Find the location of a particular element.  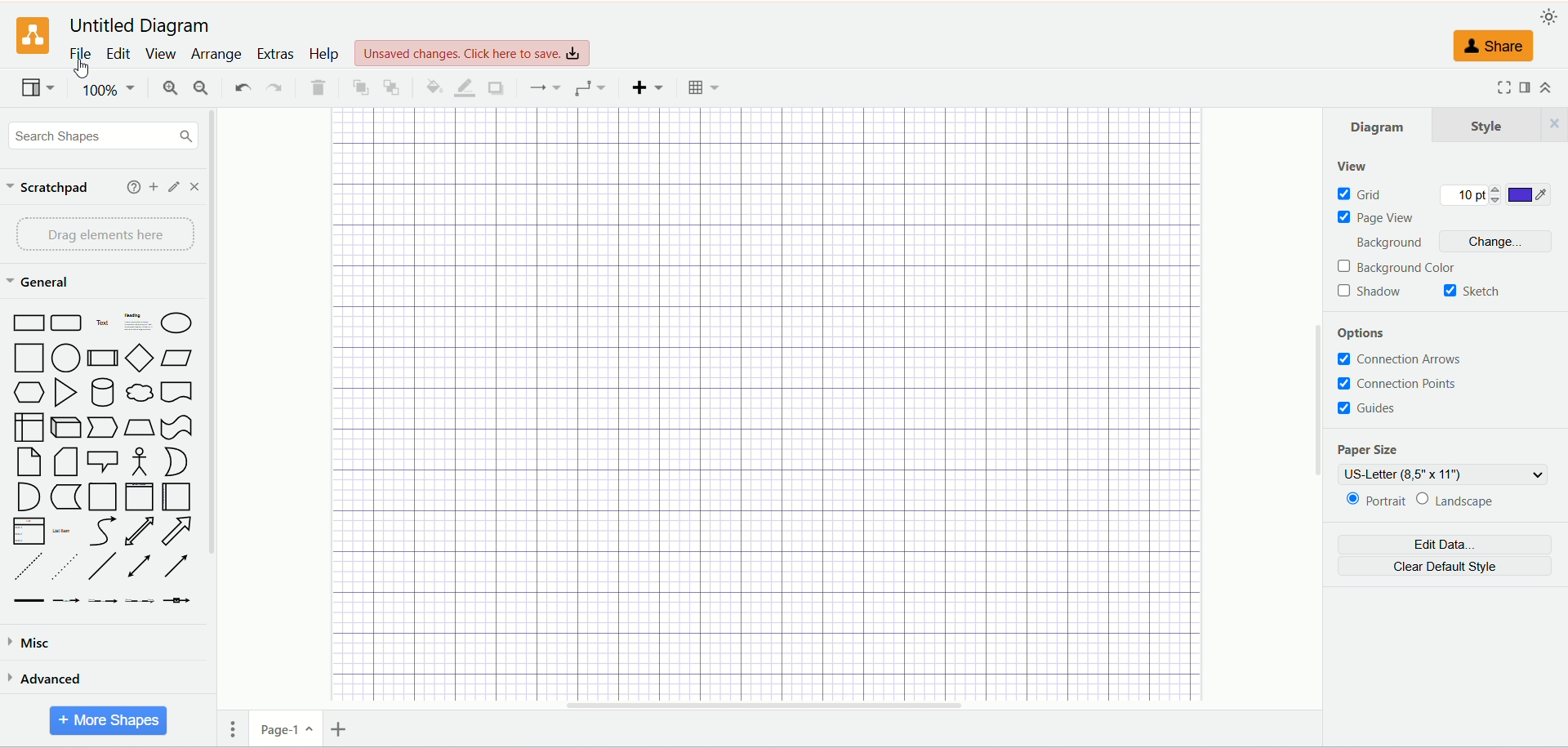

fullscreen is located at coordinates (1502, 87).